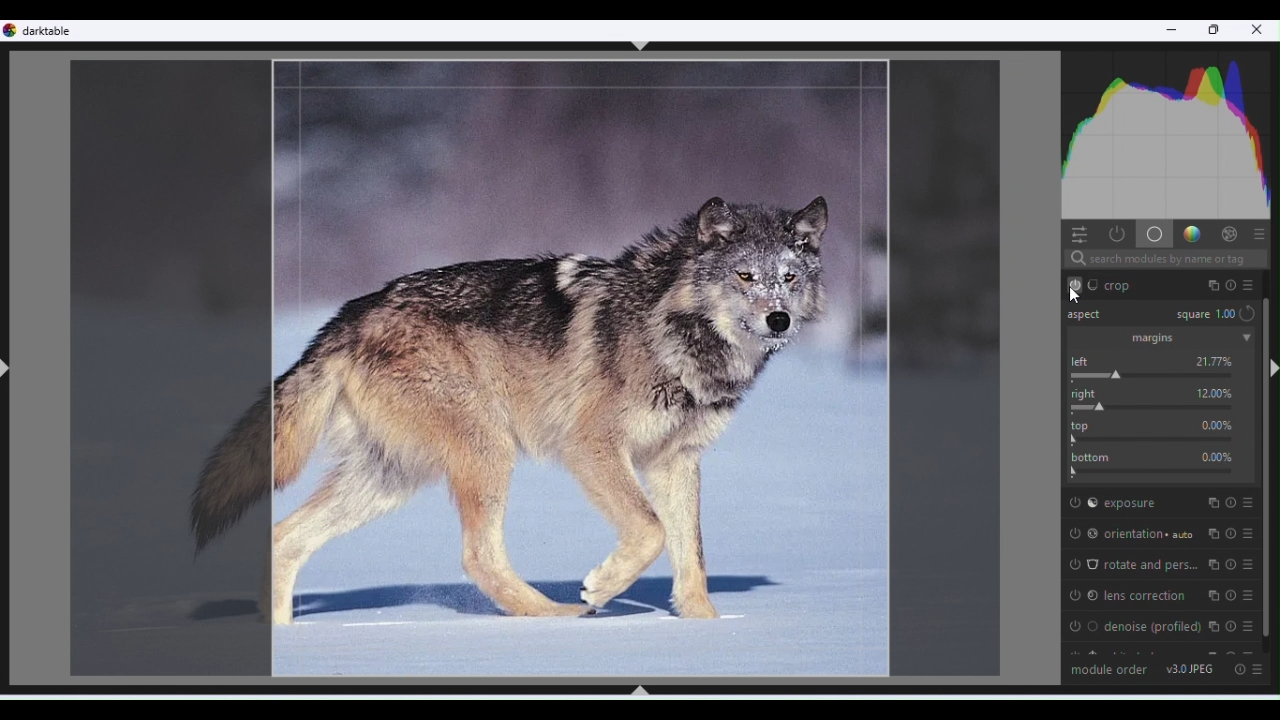 The image size is (1280, 720). Describe the element at coordinates (1216, 31) in the screenshot. I see `Restore` at that location.